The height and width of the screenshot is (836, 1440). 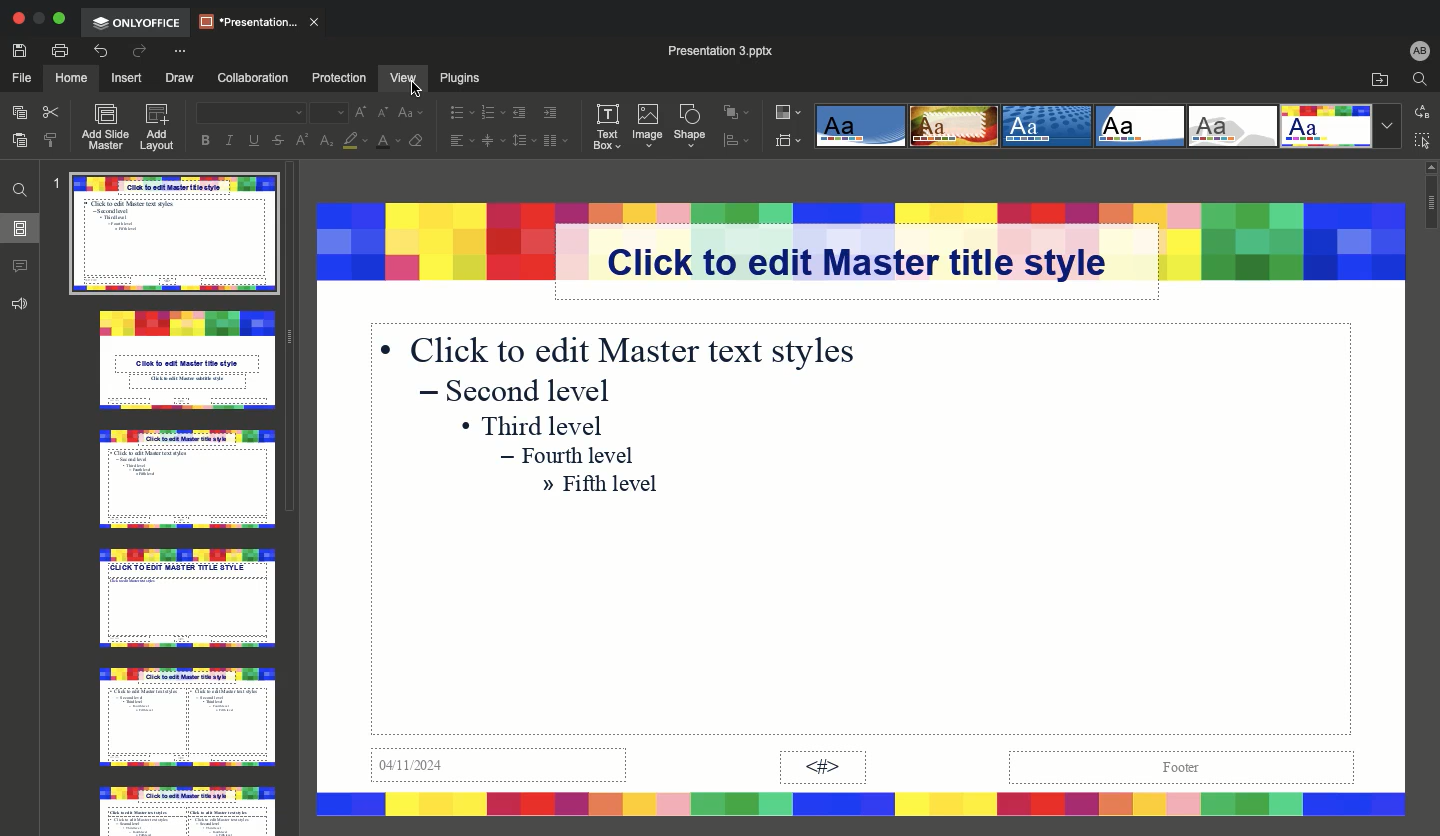 I want to click on Feedback & support, so click(x=22, y=302).